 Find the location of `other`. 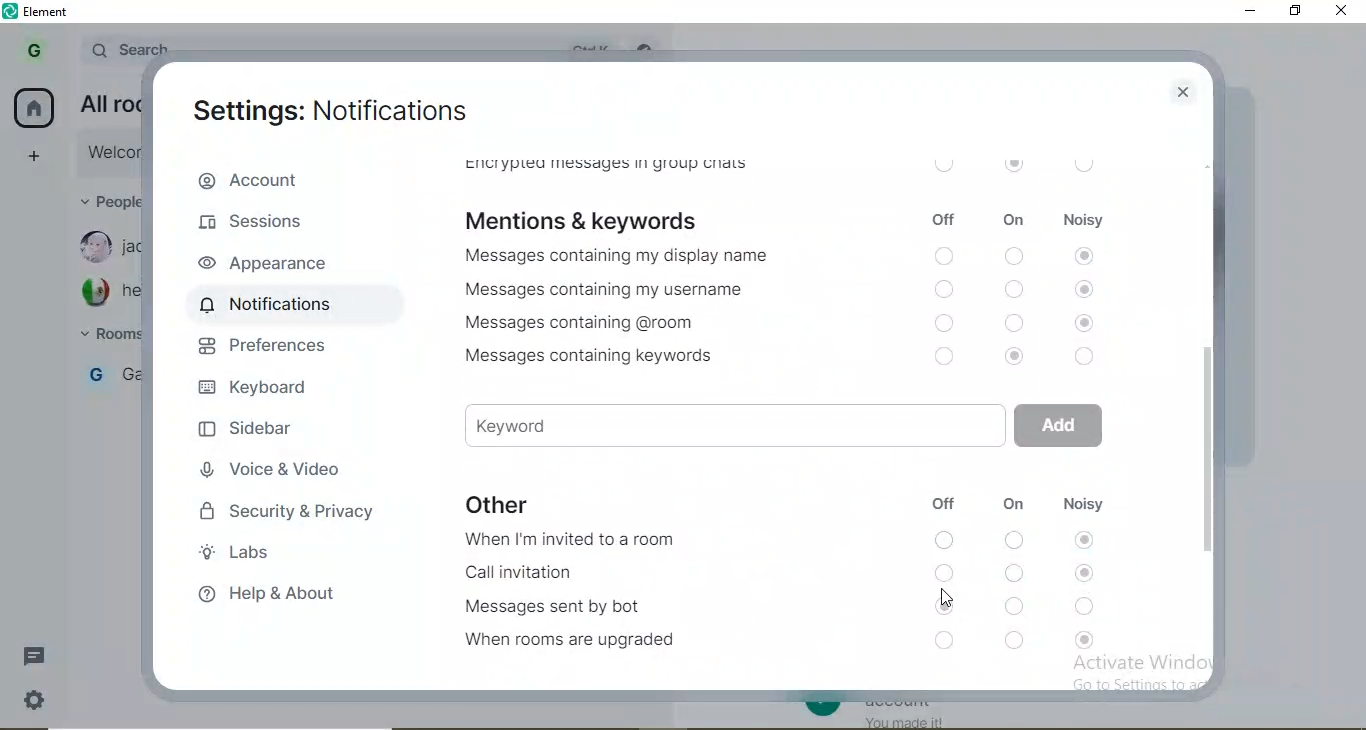

other is located at coordinates (504, 500).